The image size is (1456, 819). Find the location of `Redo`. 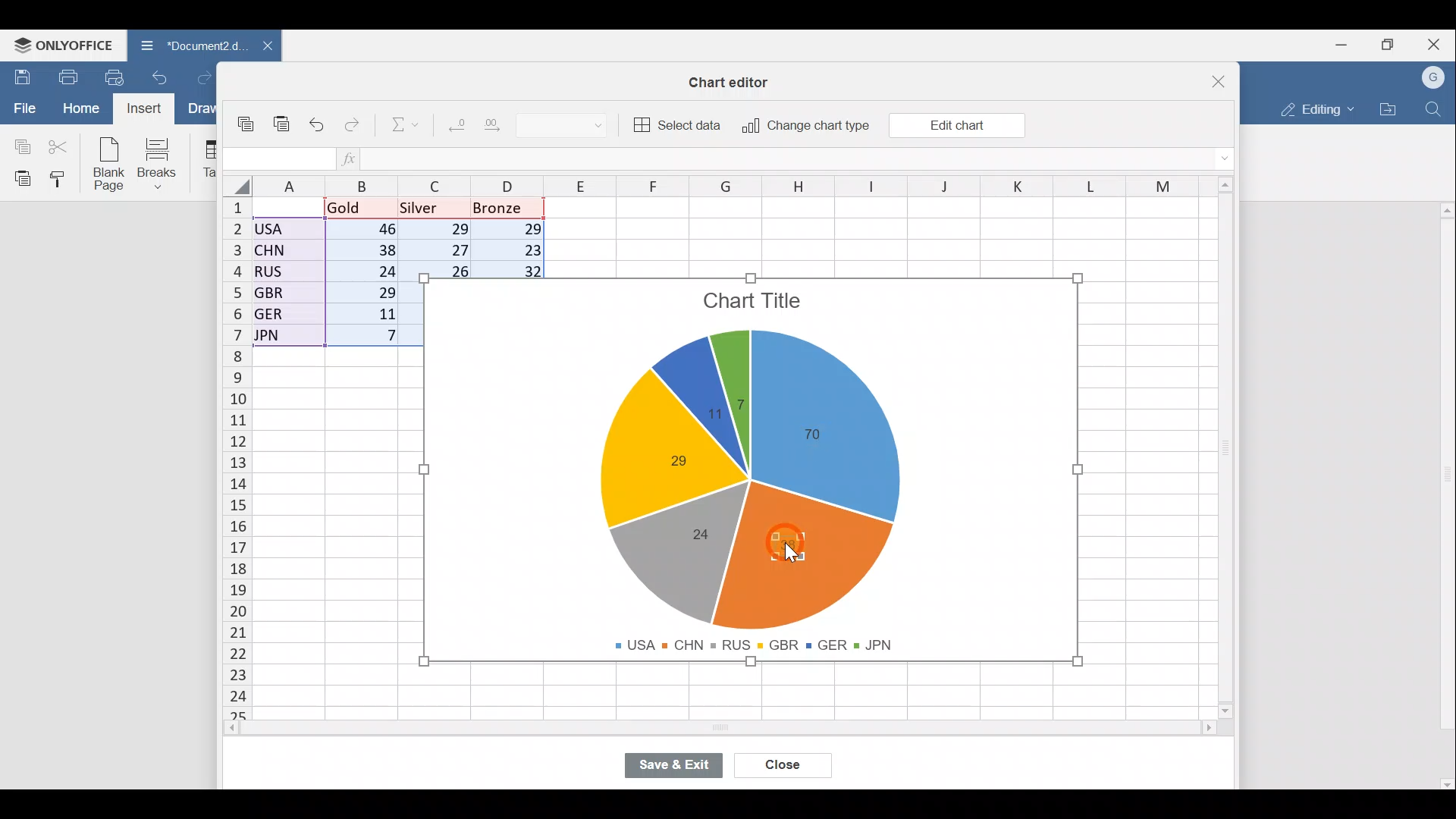

Redo is located at coordinates (210, 79).